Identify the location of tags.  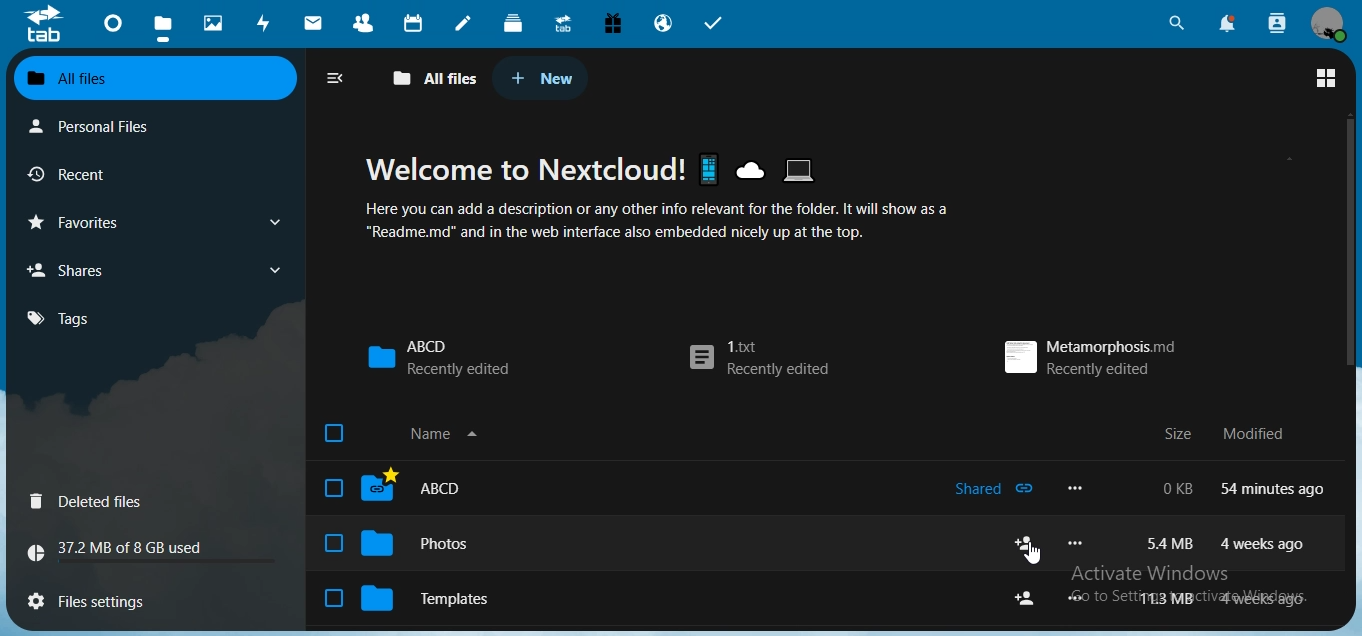
(70, 318).